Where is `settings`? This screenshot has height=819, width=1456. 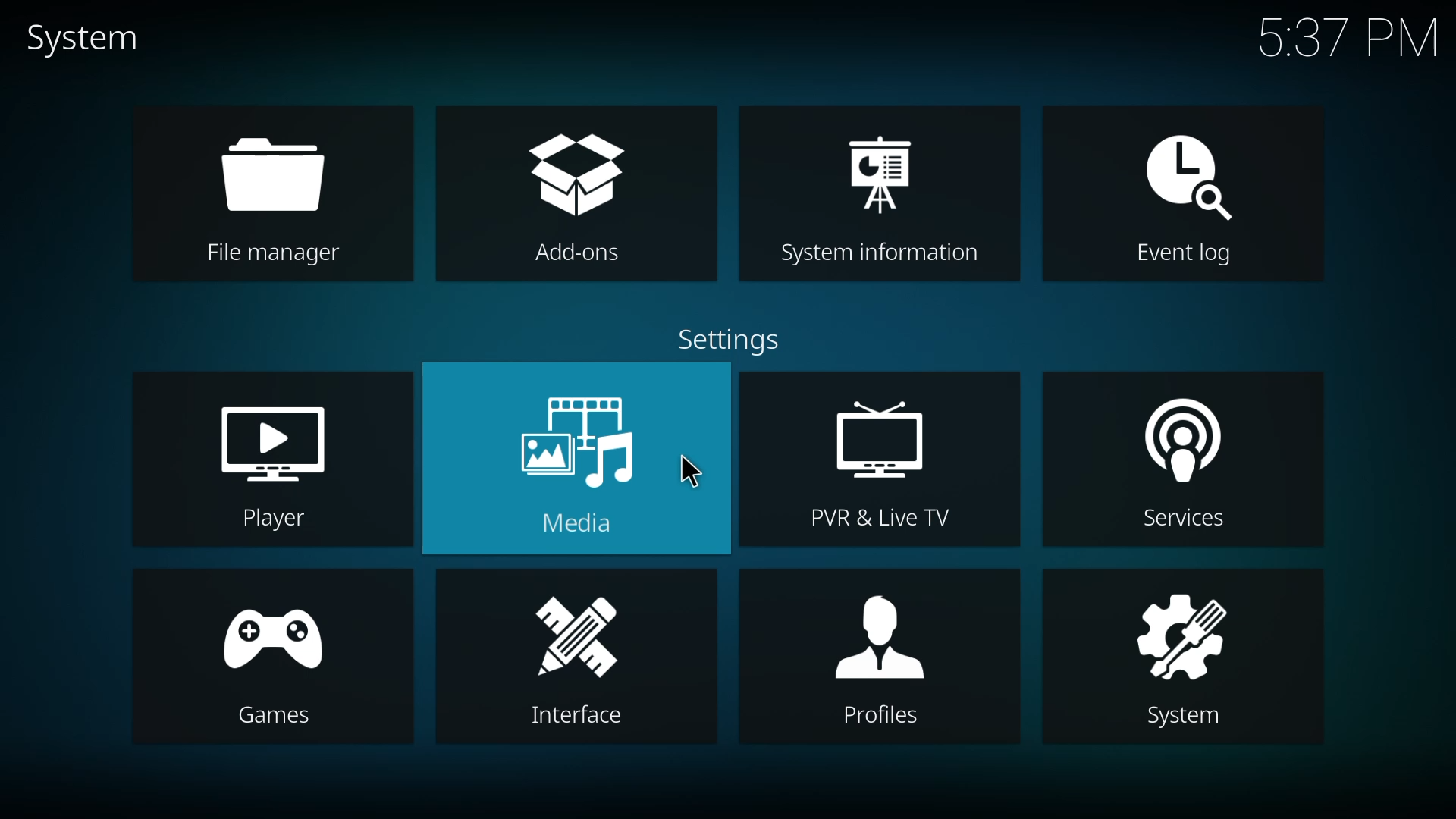 settings is located at coordinates (730, 338).